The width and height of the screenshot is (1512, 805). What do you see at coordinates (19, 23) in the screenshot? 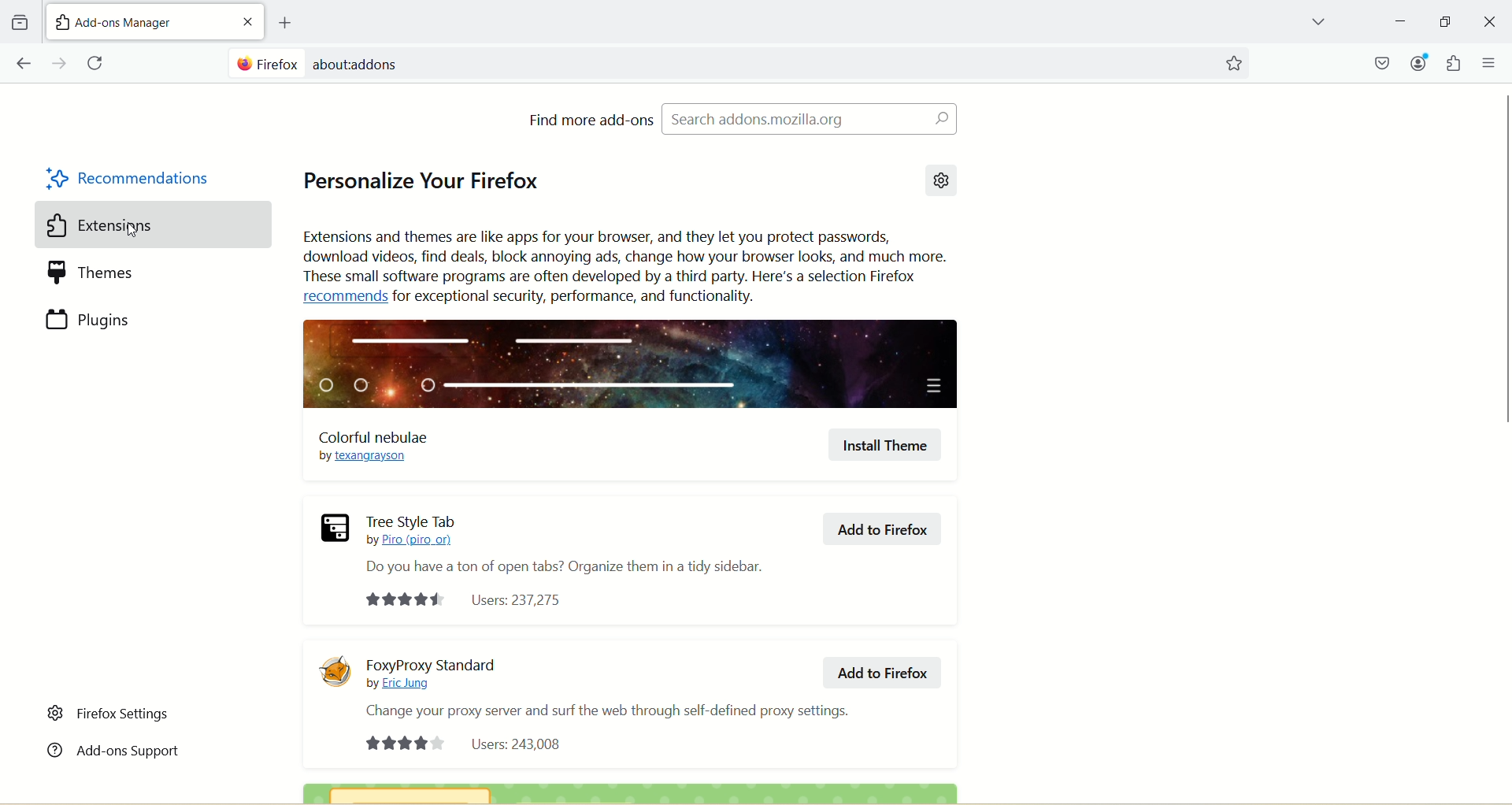
I see `Folder` at bounding box center [19, 23].